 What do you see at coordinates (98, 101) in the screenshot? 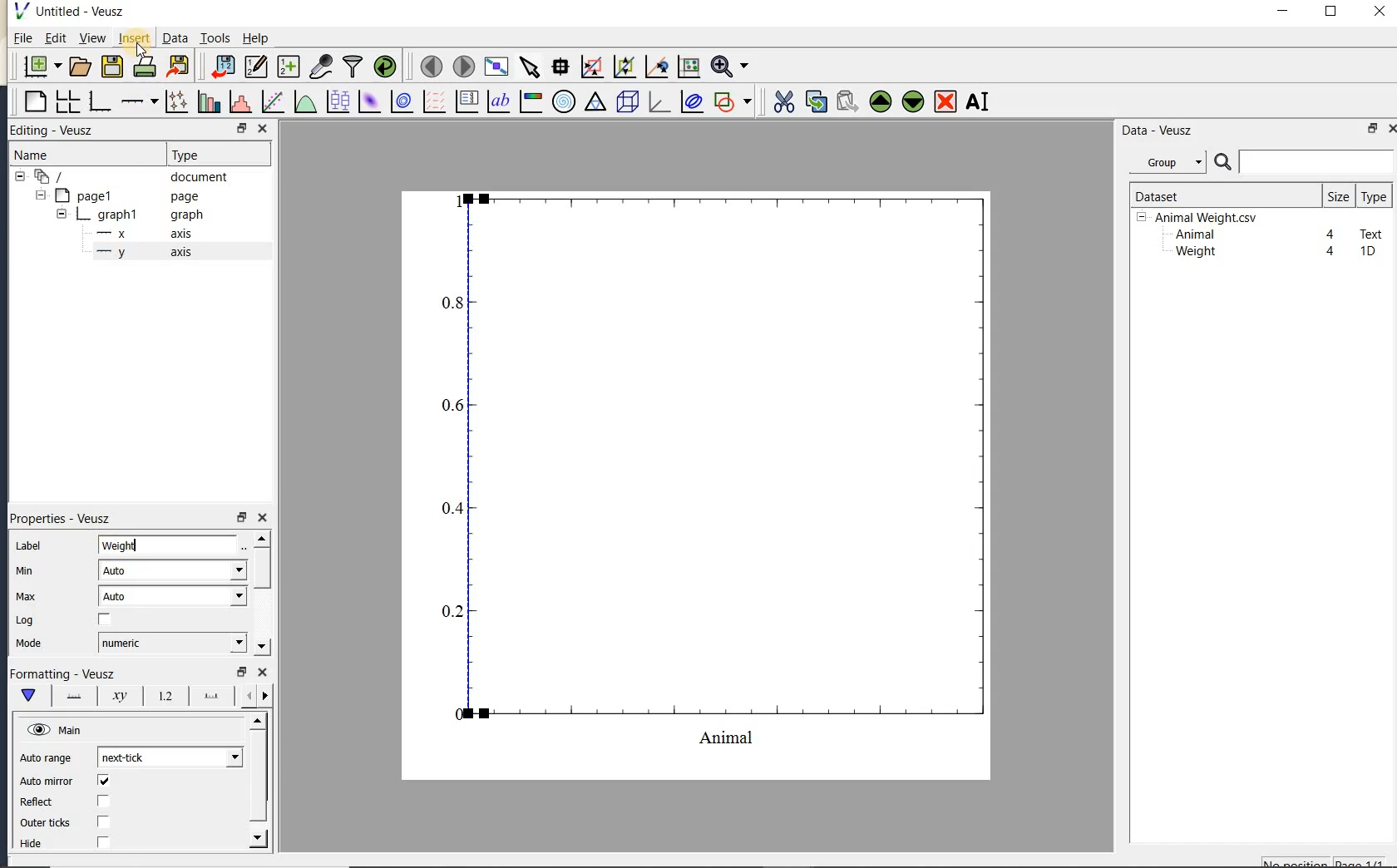
I see `base graph` at bounding box center [98, 101].